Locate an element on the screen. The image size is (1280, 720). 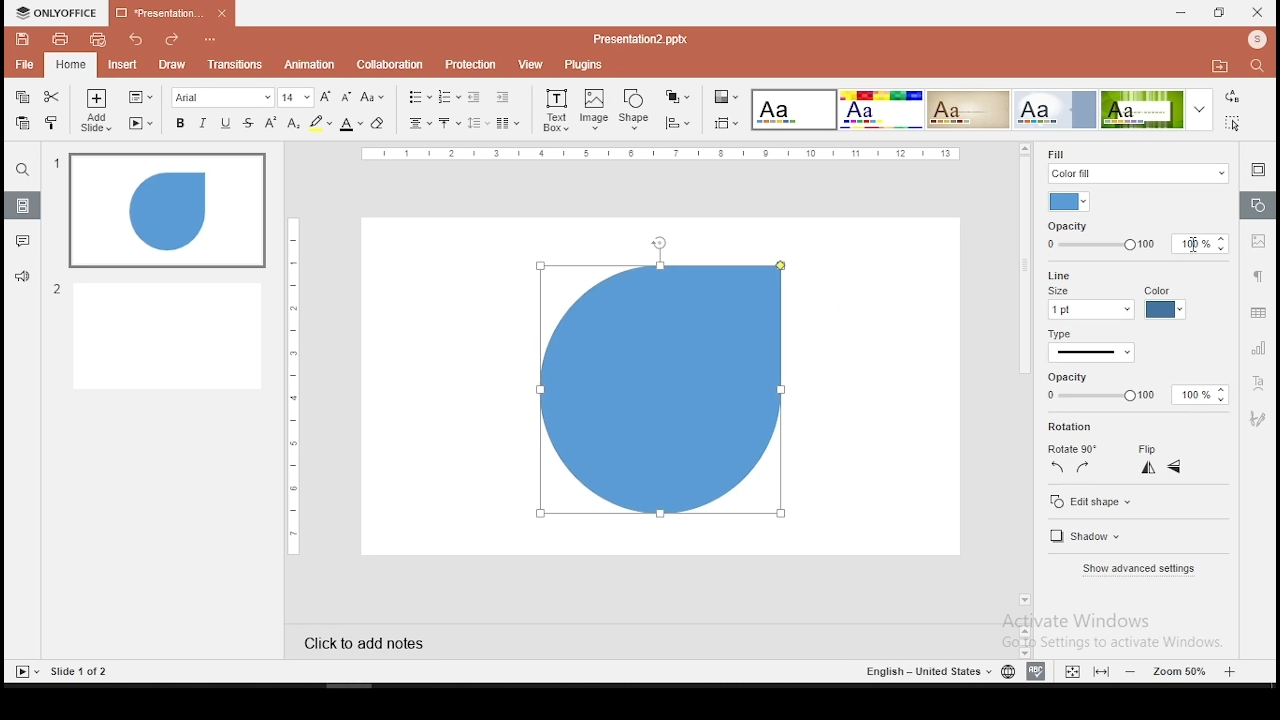
click to add notes is located at coordinates (380, 640).